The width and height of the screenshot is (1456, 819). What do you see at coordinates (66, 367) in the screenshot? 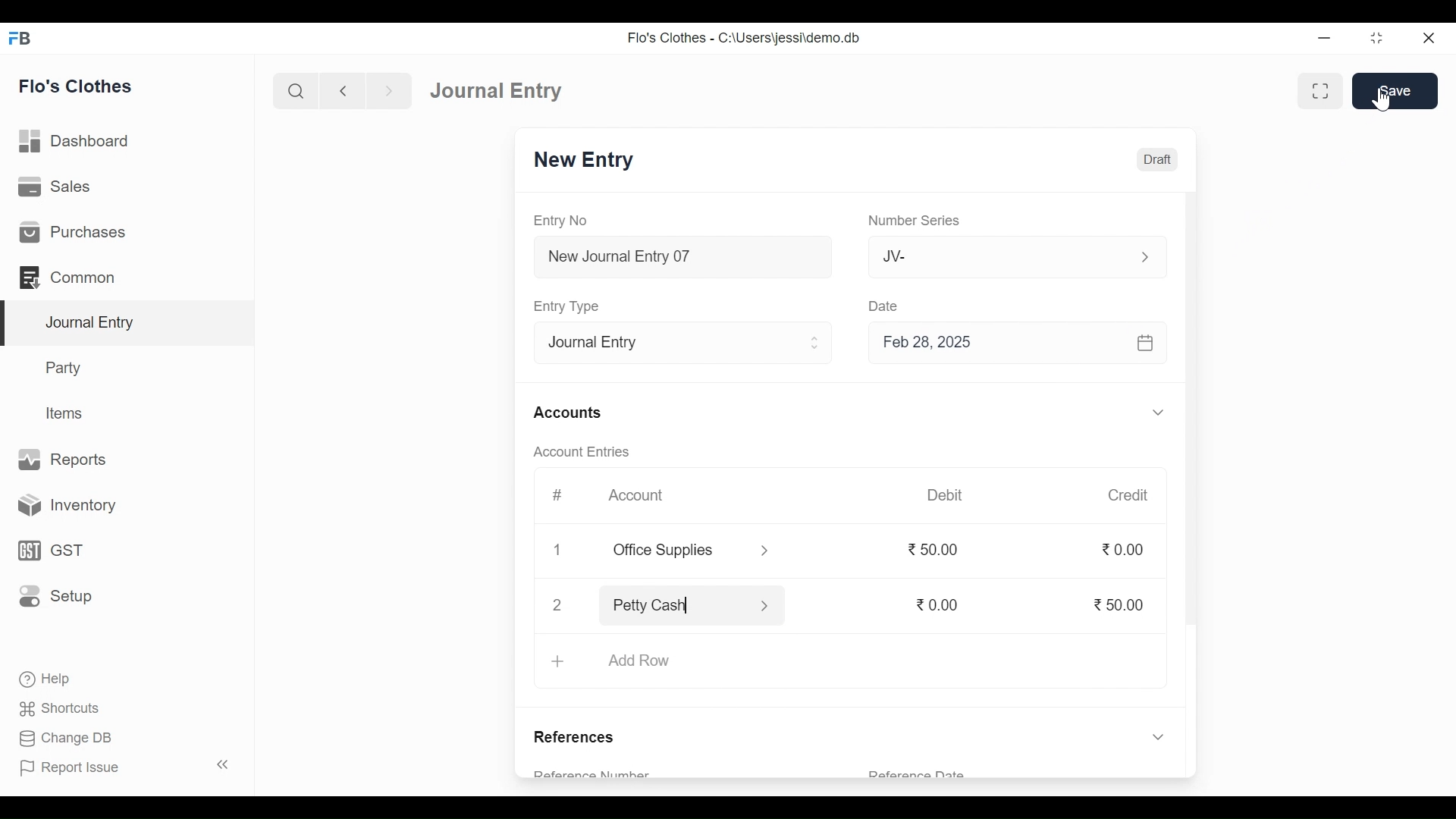
I see `Party` at bounding box center [66, 367].